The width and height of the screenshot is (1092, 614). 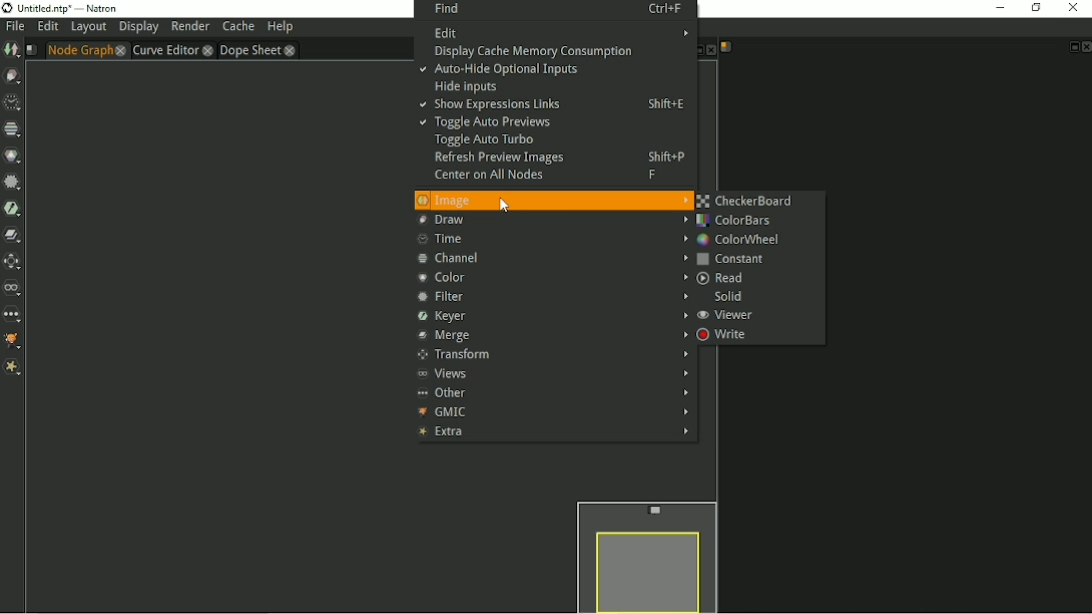 What do you see at coordinates (13, 315) in the screenshot?
I see `Other` at bounding box center [13, 315].